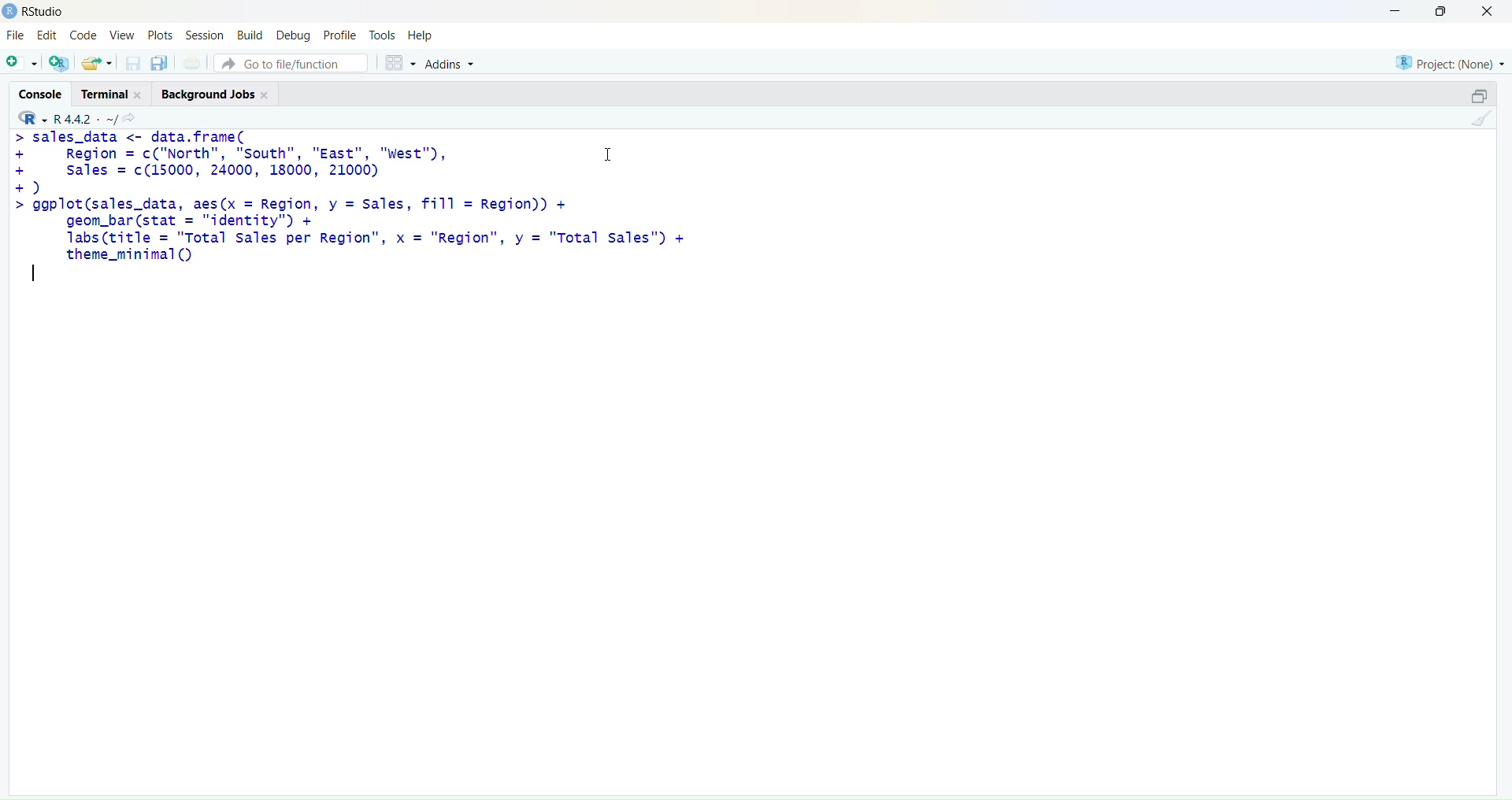  What do you see at coordinates (212, 96) in the screenshot?
I see `Background Jobs` at bounding box center [212, 96].